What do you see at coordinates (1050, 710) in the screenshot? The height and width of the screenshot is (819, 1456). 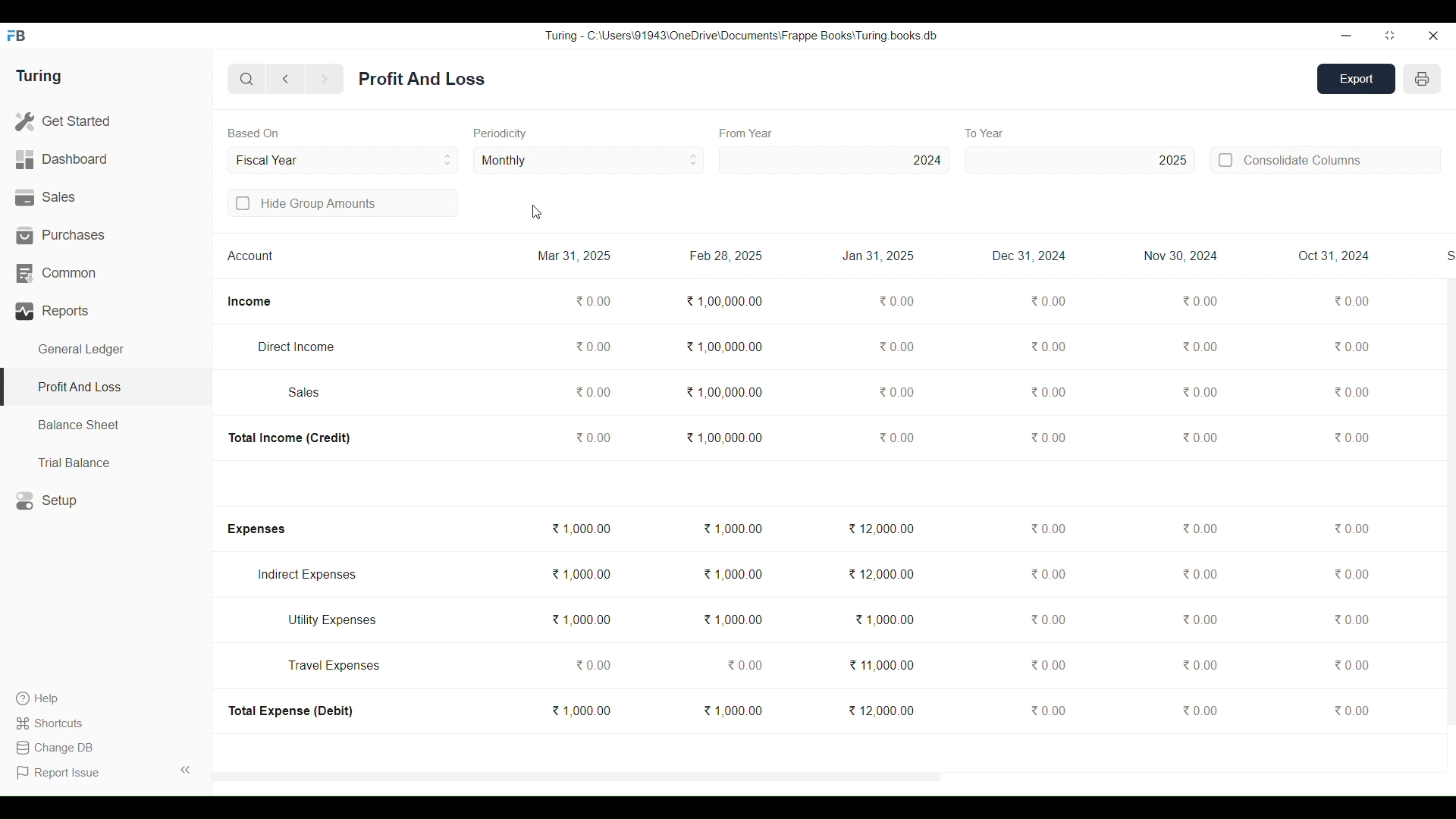 I see `0.00` at bounding box center [1050, 710].